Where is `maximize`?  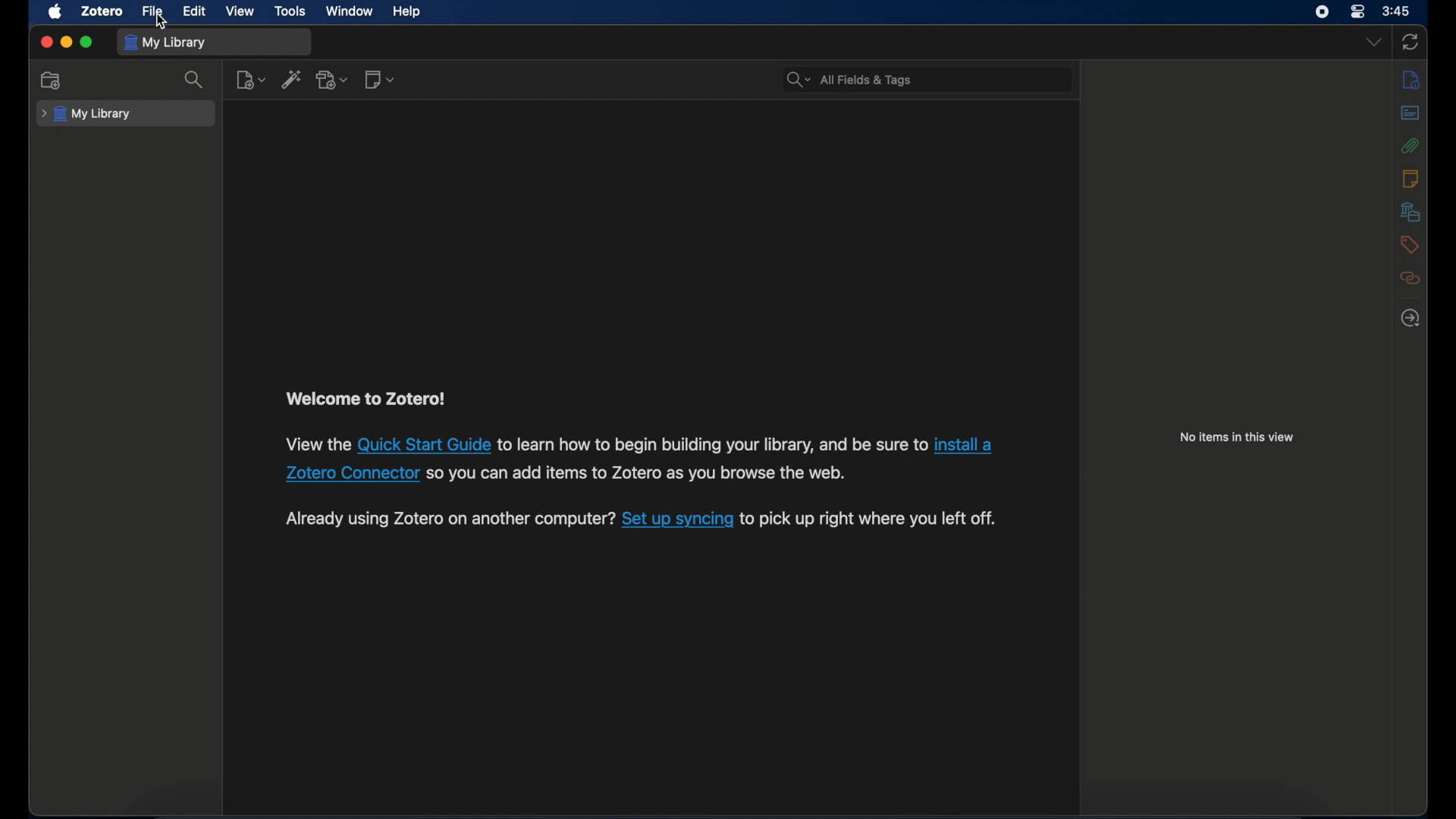
maximize is located at coordinates (88, 42).